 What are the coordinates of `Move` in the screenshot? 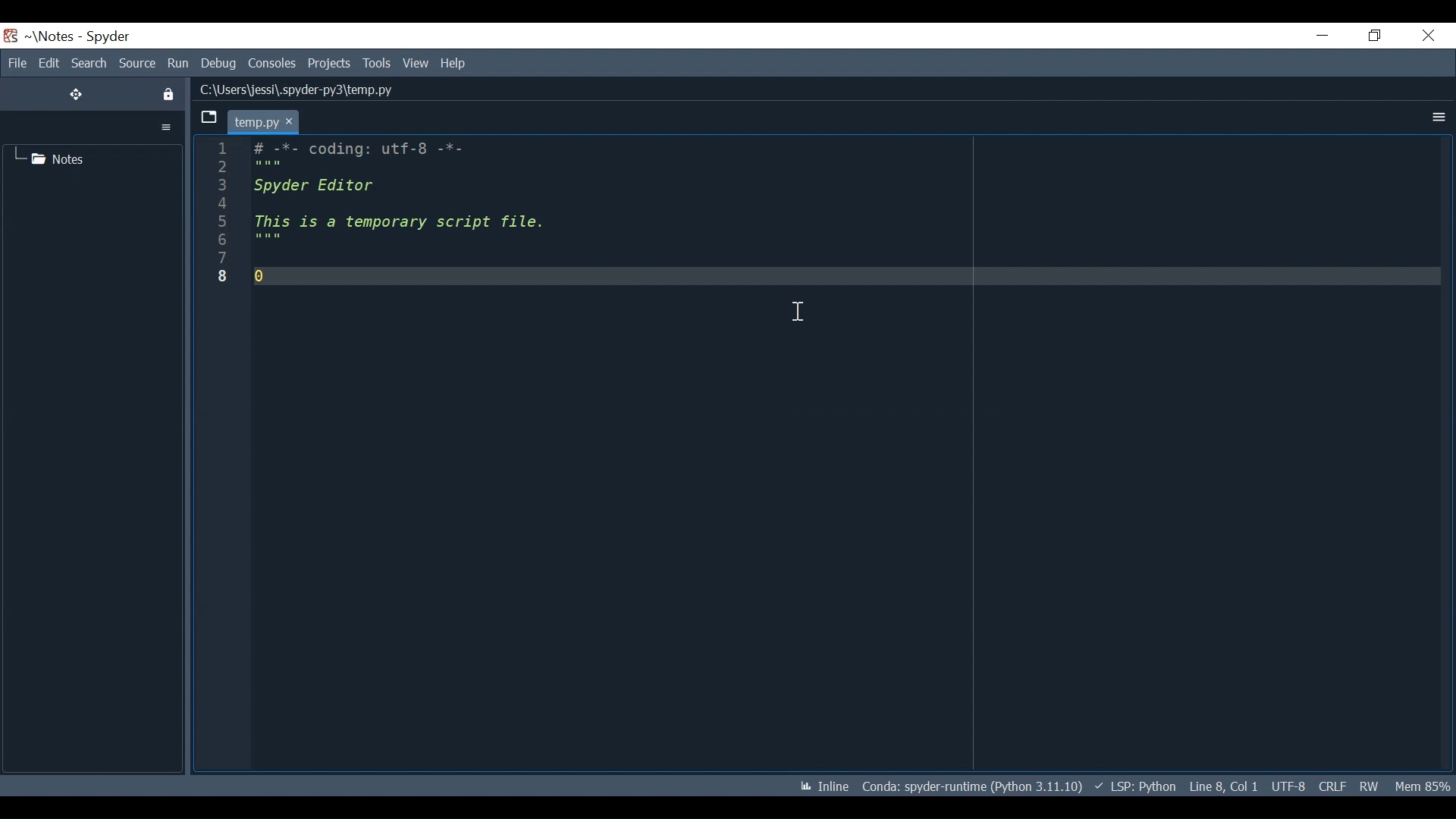 It's located at (77, 94).